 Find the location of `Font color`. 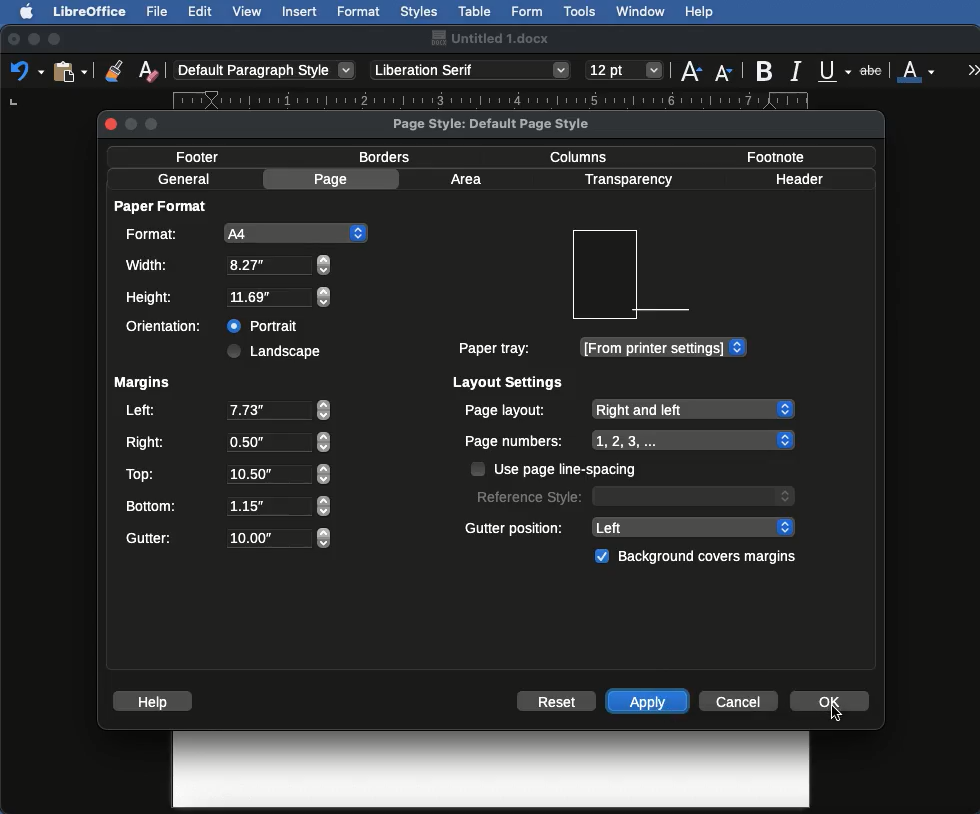

Font color is located at coordinates (917, 69).